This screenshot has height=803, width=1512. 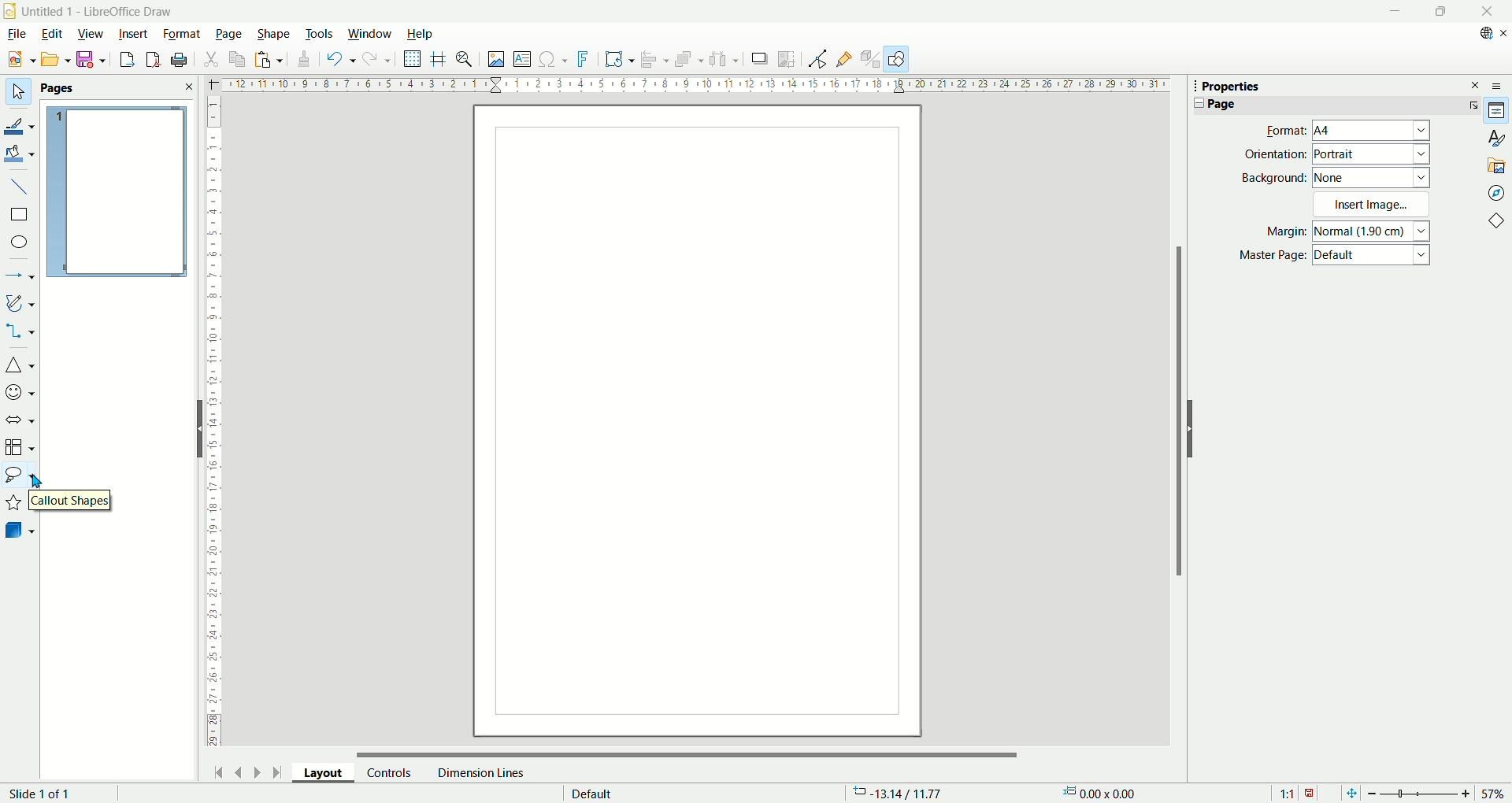 I want to click on dimensions, so click(x=1105, y=793).